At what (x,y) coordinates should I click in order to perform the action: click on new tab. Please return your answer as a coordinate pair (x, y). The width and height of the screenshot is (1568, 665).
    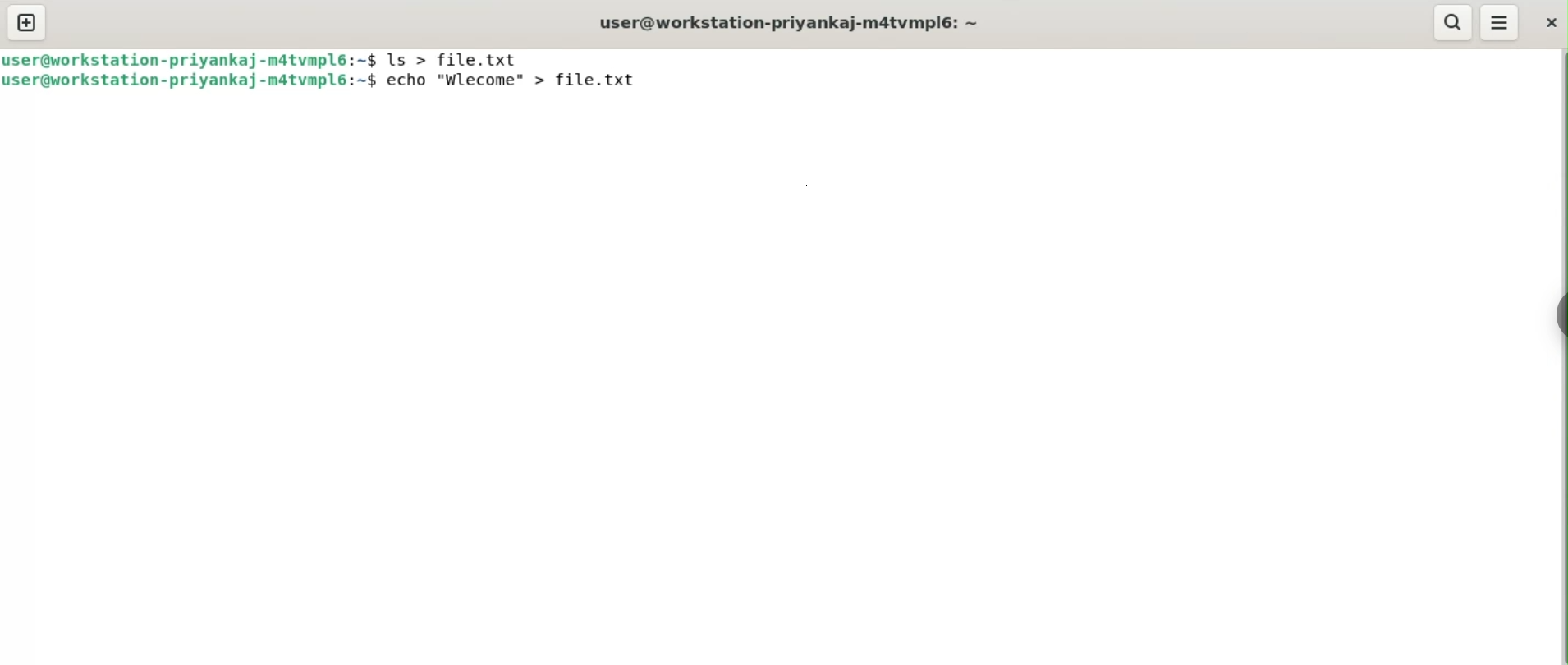
    Looking at the image, I should click on (28, 22).